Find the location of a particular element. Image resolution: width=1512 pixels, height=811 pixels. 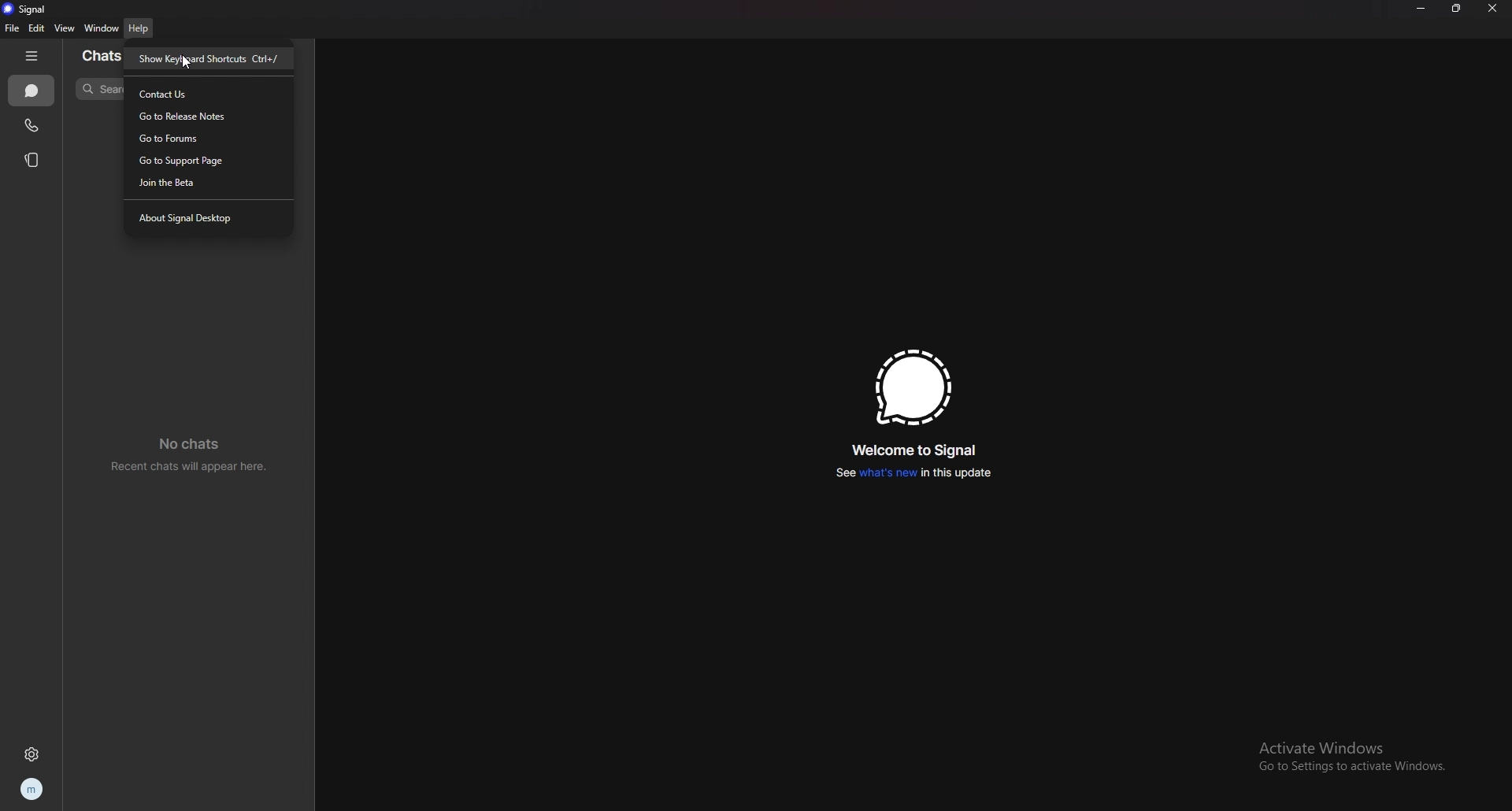

settings is located at coordinates (34, 754).